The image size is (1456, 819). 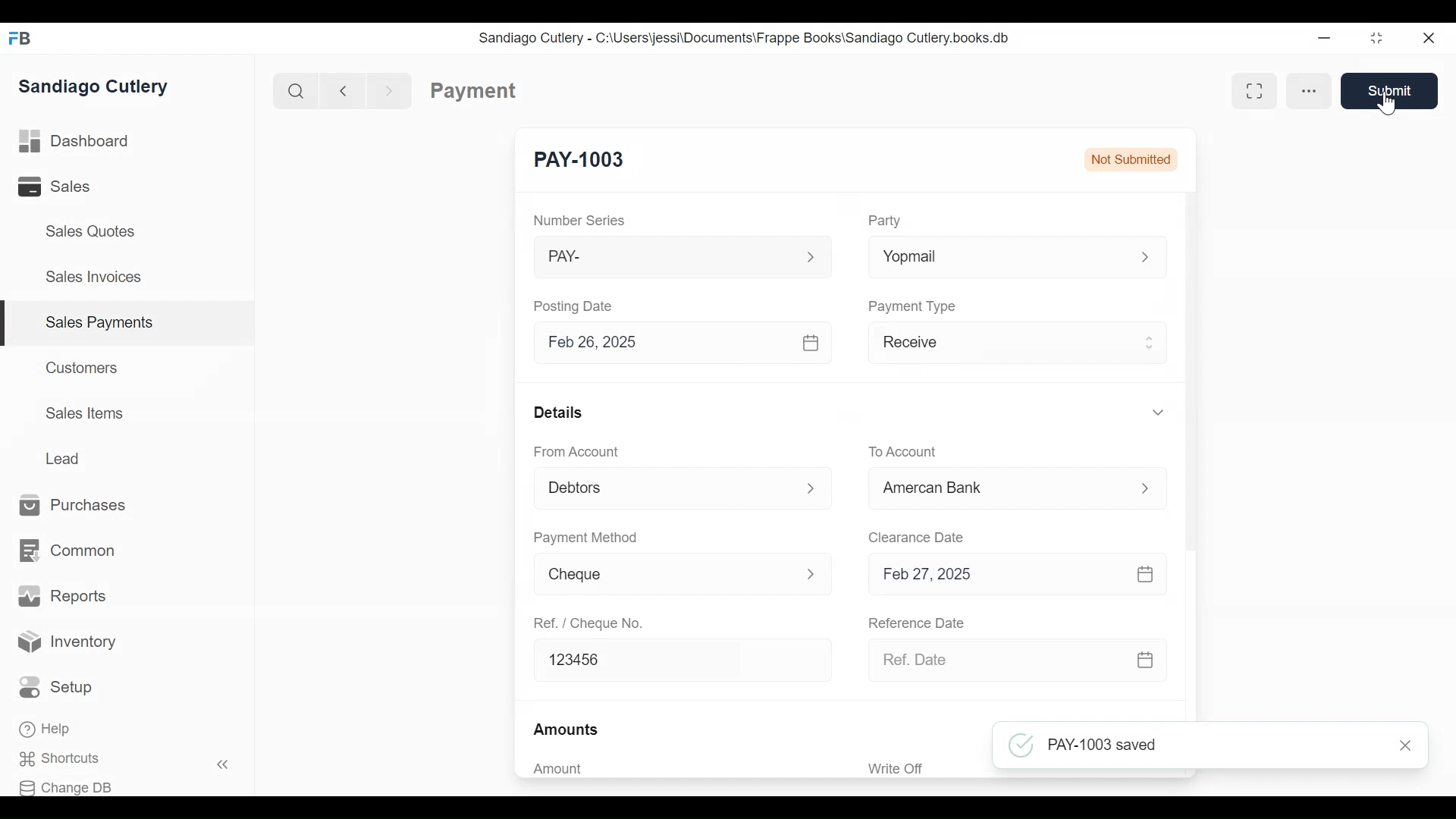 What do you see at coordinates (658, 343) in the screenshot?
I see `Feb 26, 2025` at bounding box center [658, 343].